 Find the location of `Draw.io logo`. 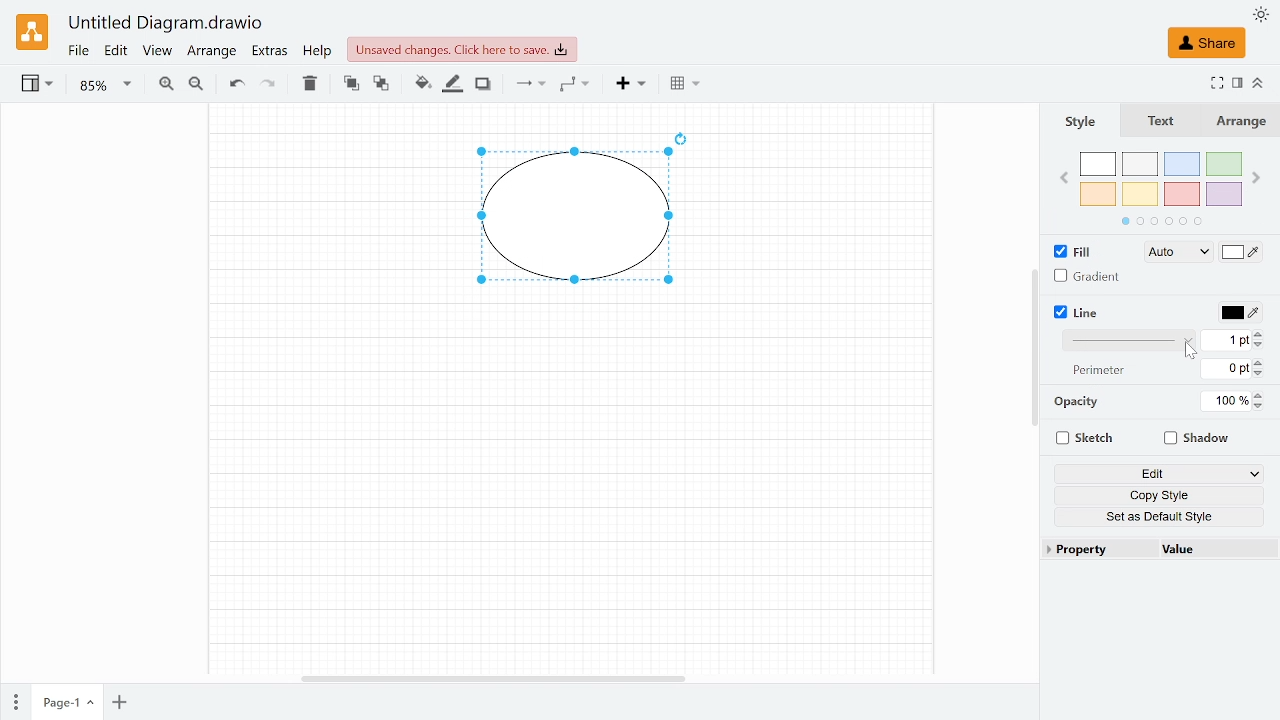

Draw.io logo is located at coordinates (33, 31).